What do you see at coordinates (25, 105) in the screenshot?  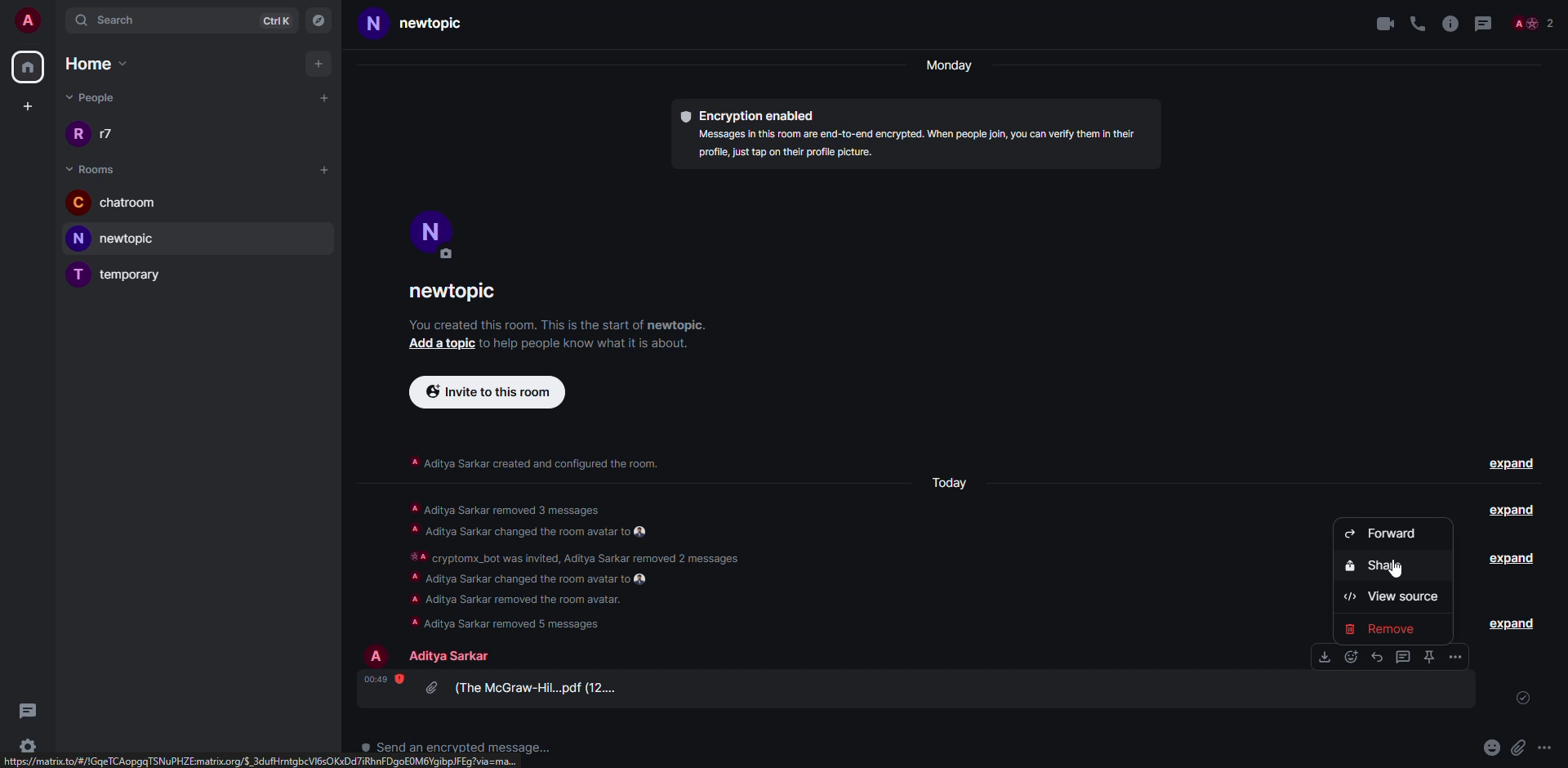 I see `create space` at bounding box center [25, 105].